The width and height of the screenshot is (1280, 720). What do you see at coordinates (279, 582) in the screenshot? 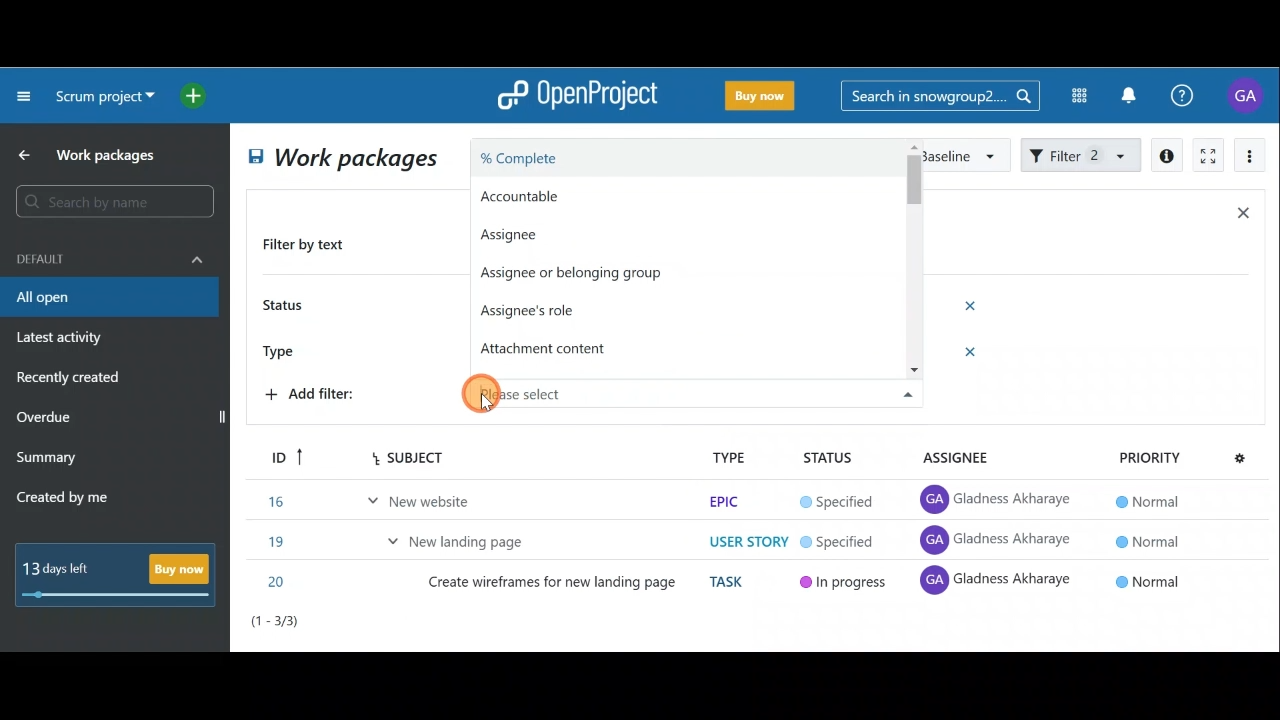
I see `20` at bounding box center [279, 582].